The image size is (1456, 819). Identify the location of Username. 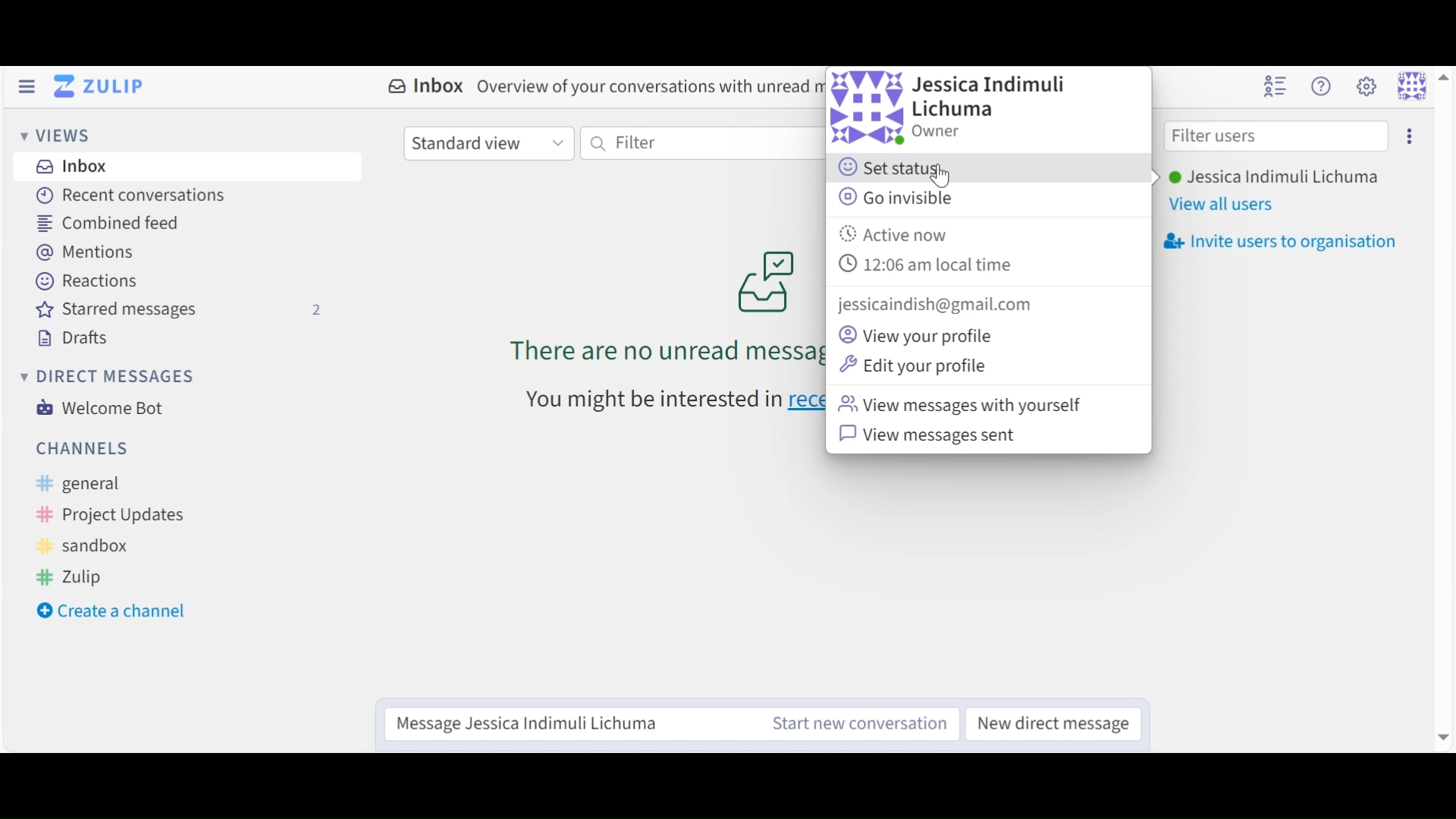
(994, 98).